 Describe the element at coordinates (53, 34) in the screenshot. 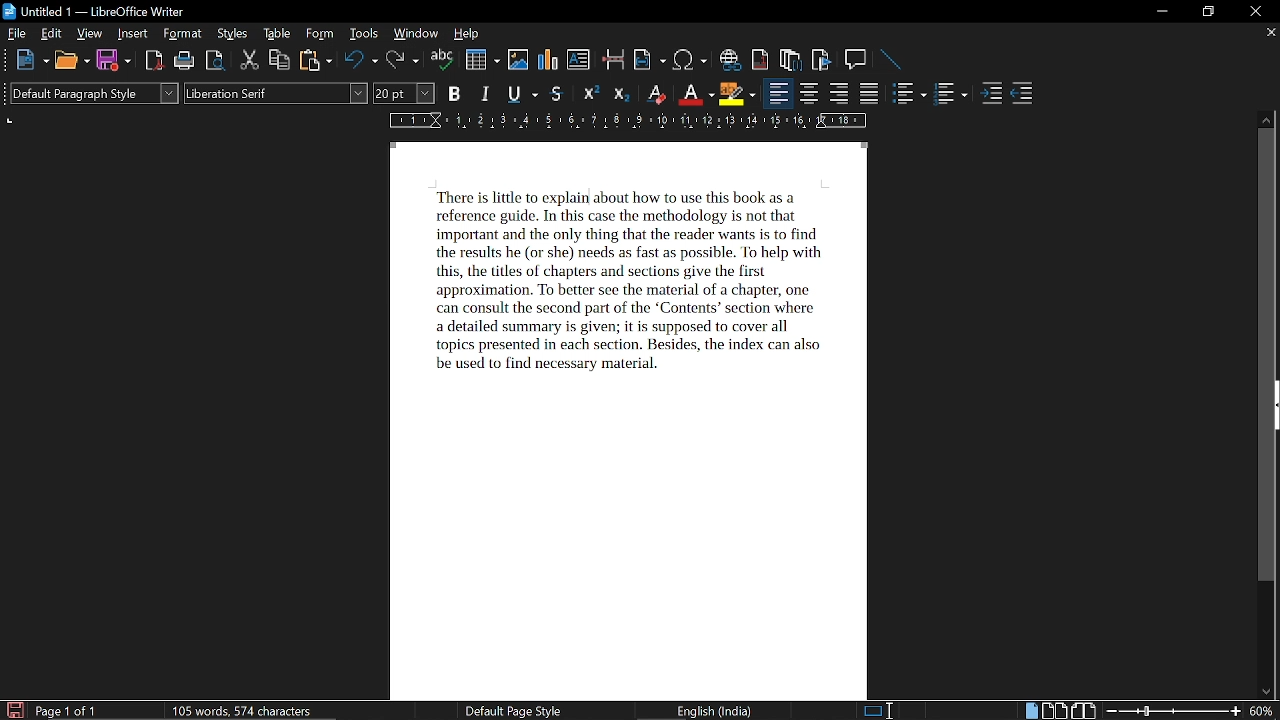

I see `edit` at that location.